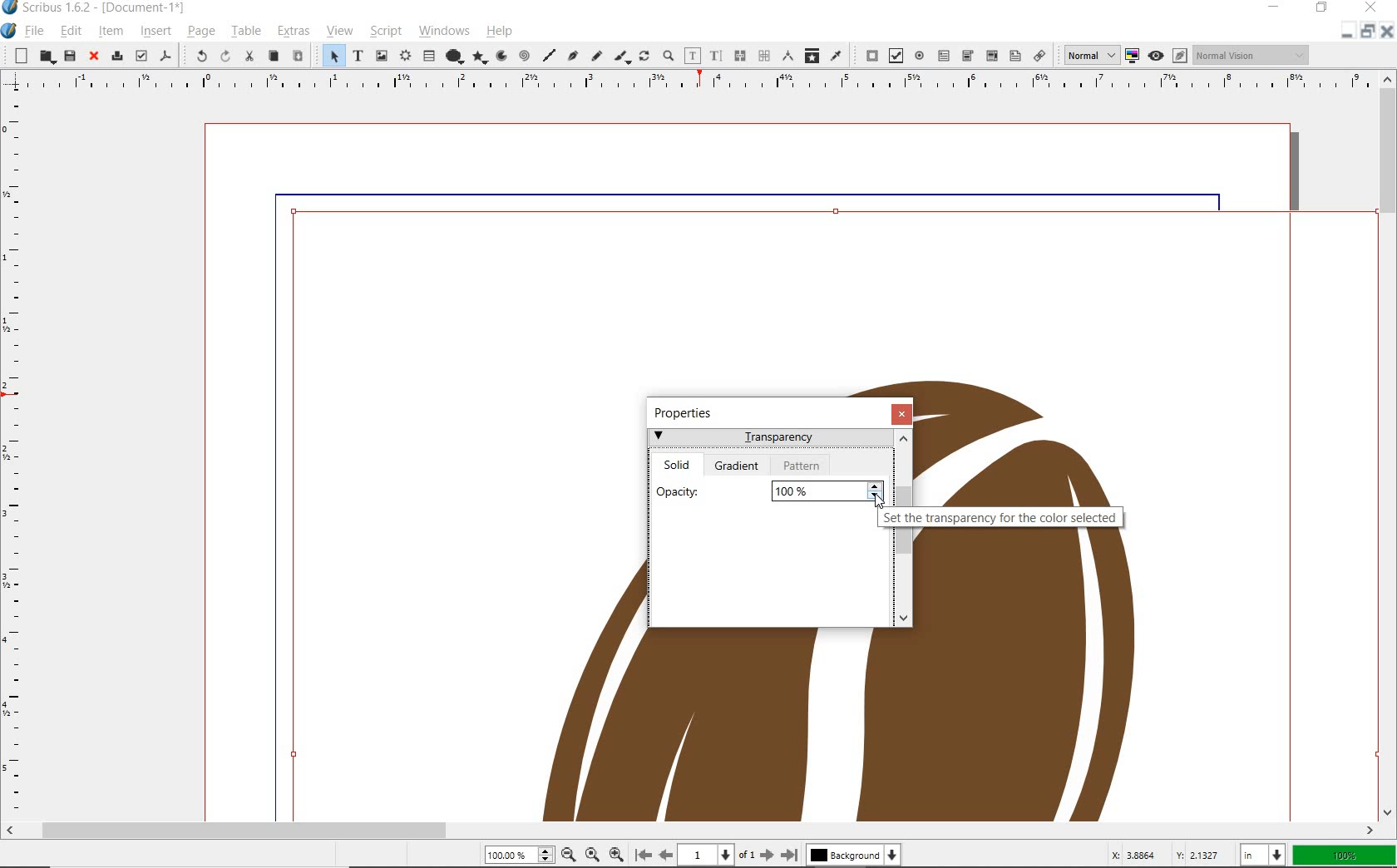 This screenshot has height=868, width=1397. Describe the element at coordinates (669, 54) in the screenshot. I see `zoom in or zoom out` at that location.